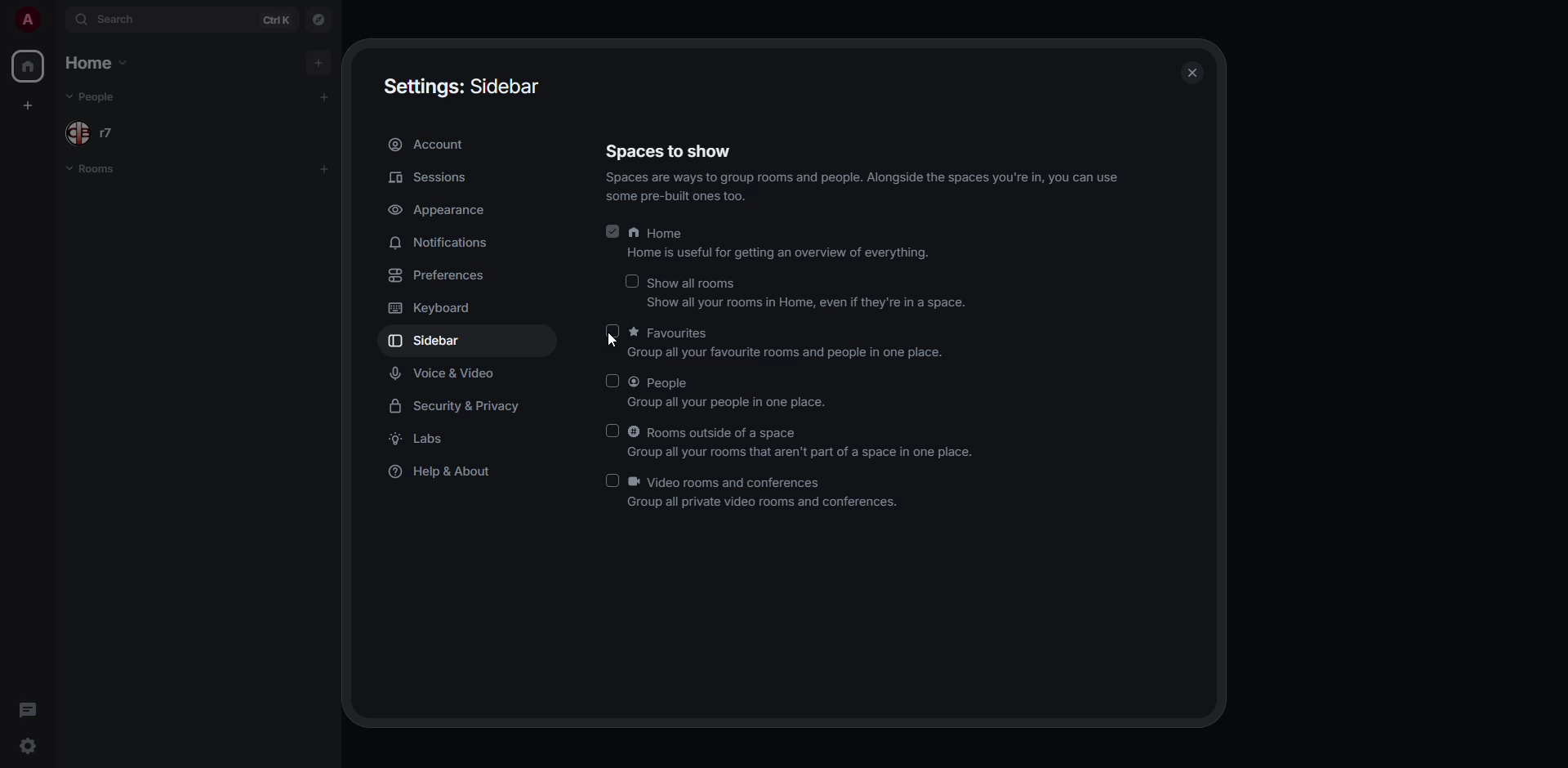 The width and height of the screenshot is (1568, 768). What do you see at coordinates (446, 471) in the screenshot?
I see `help & about` at bounding box center [446, 471].